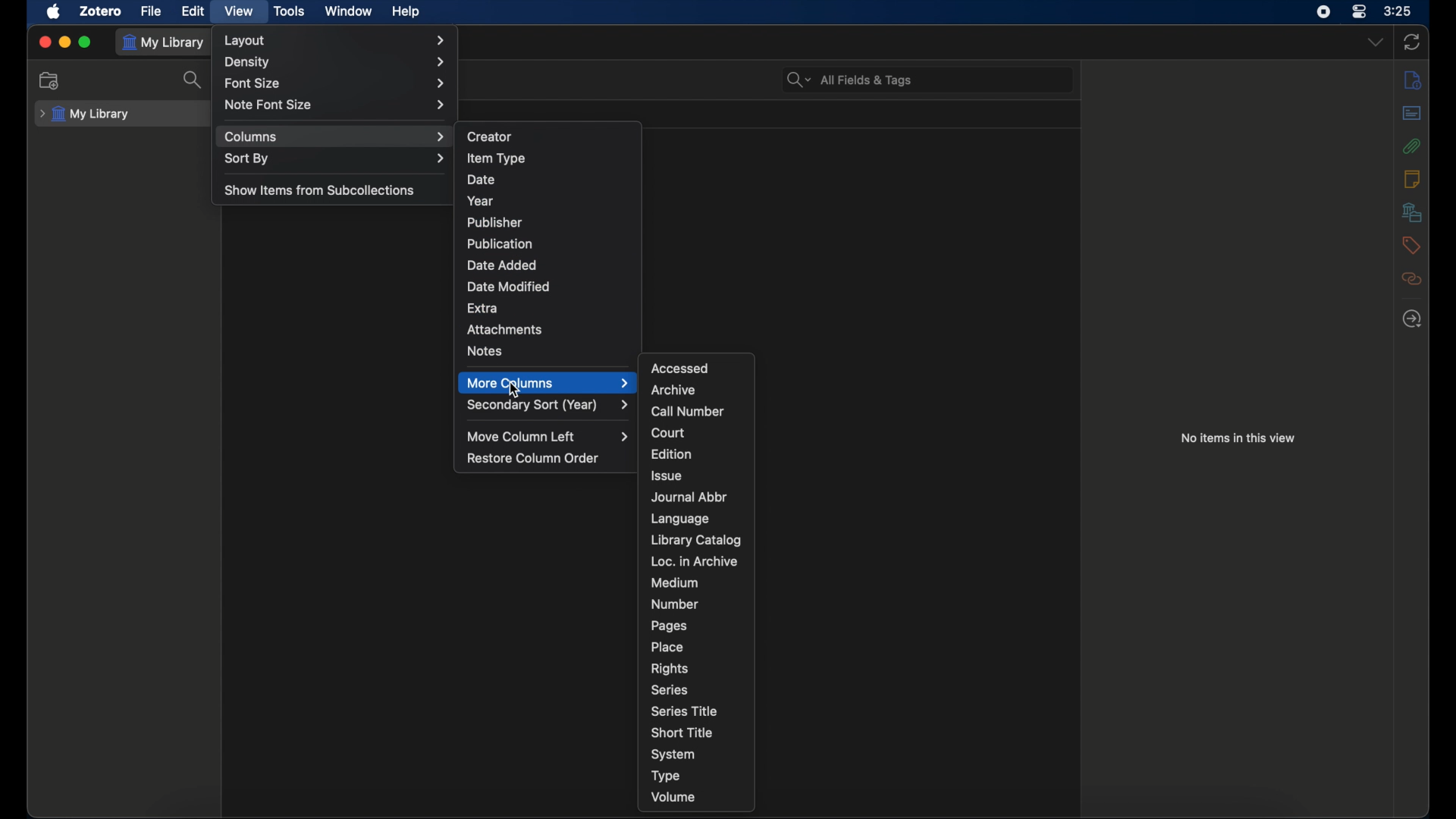 The height and width of the screenshot is (819, 1456). I want to click on call number, so click(688, 412).